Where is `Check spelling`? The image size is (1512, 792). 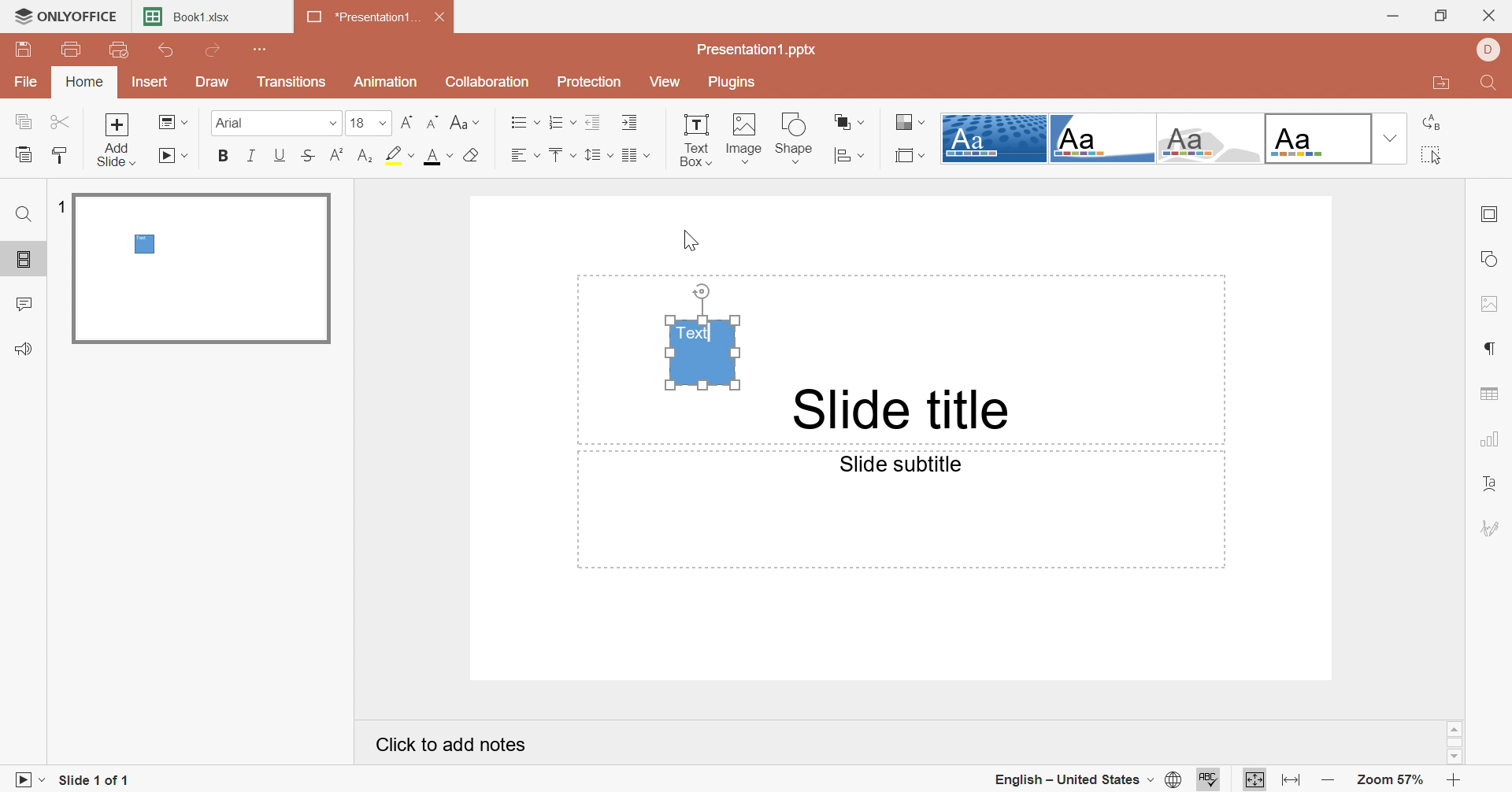 Check spelling is located at coordinates (1211, 780).